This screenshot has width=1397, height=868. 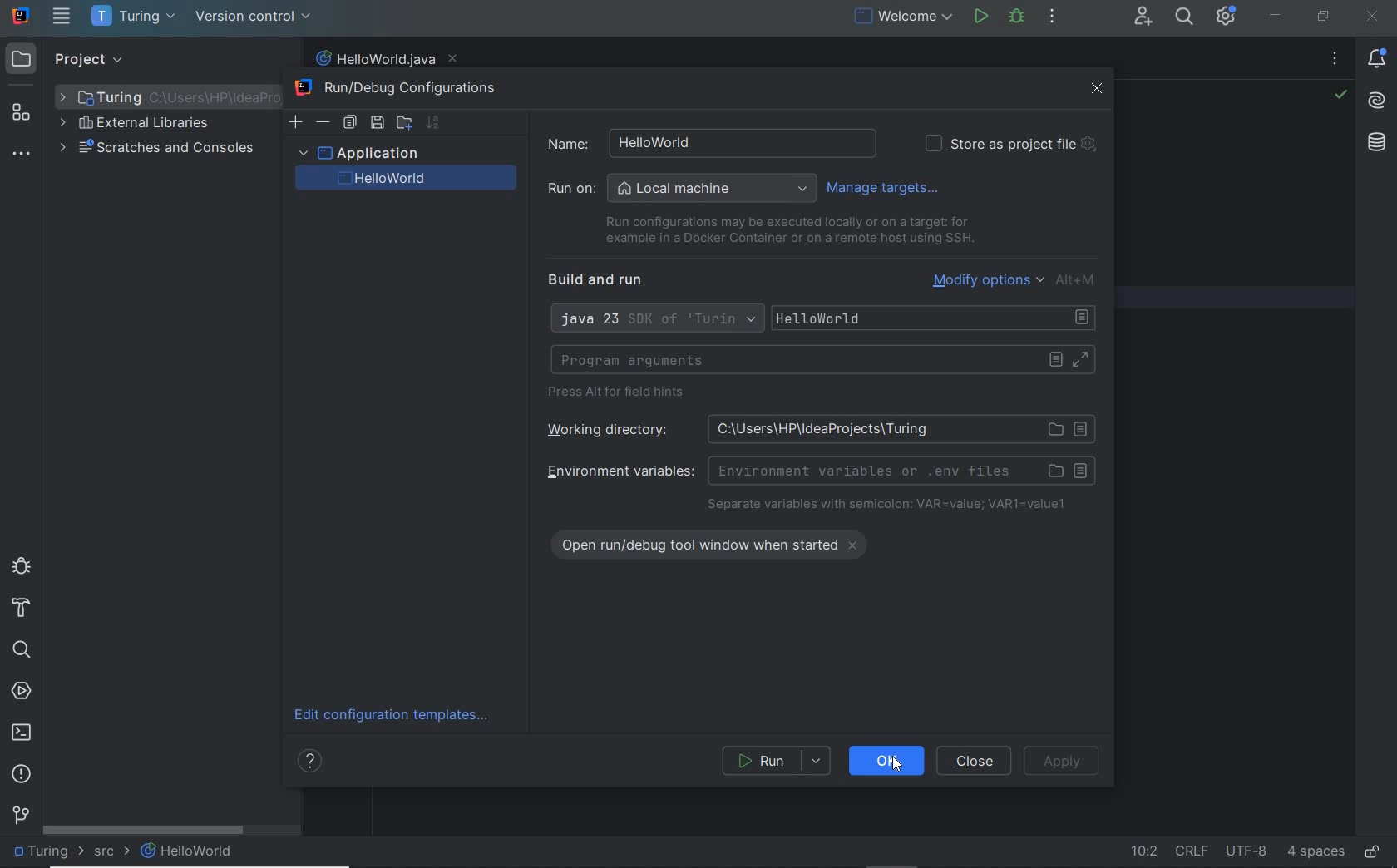 I want to click on services, so click(x=22, y=693).